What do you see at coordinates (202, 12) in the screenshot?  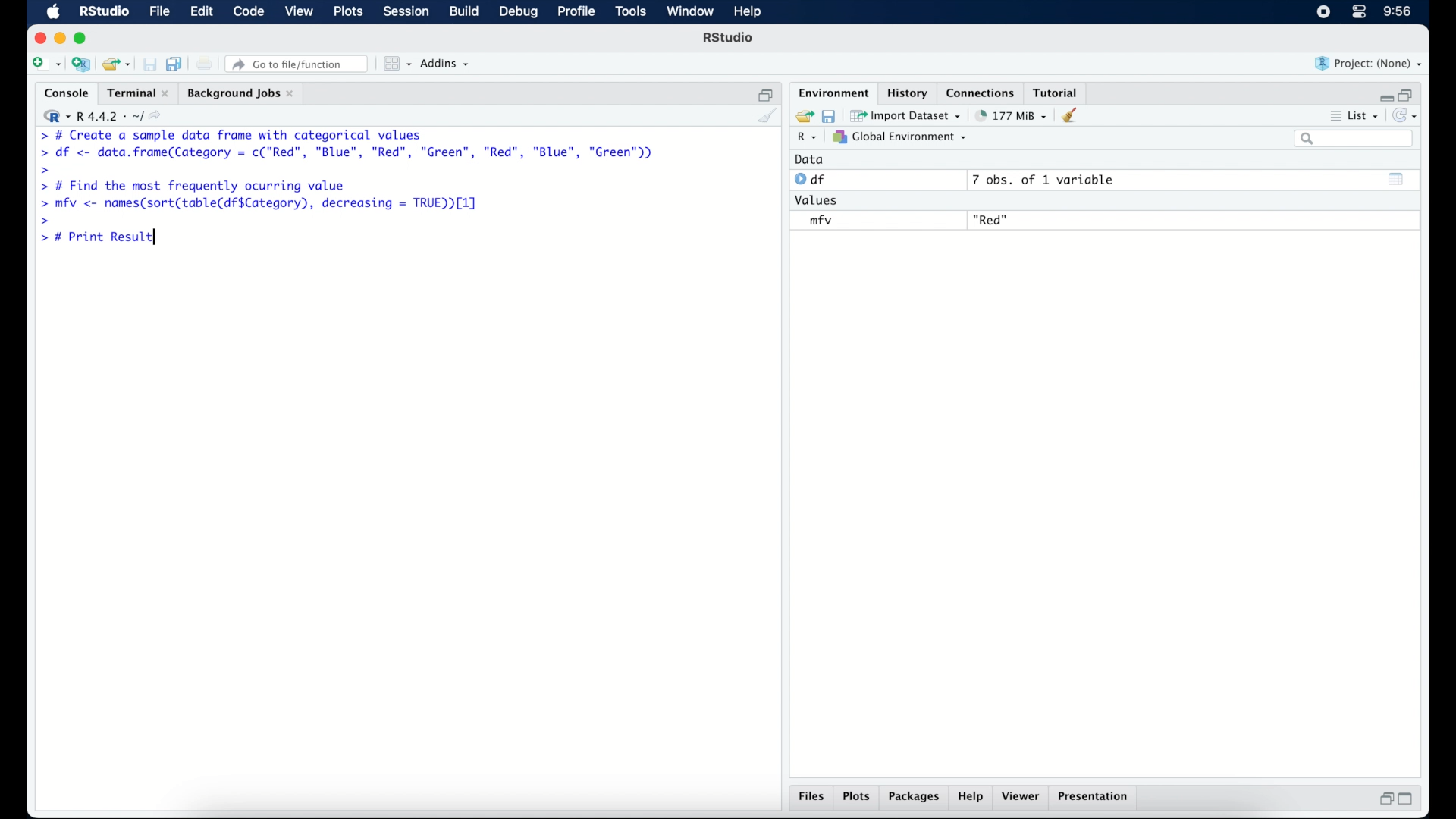 I see `edit` at bounding box center [202, 12].